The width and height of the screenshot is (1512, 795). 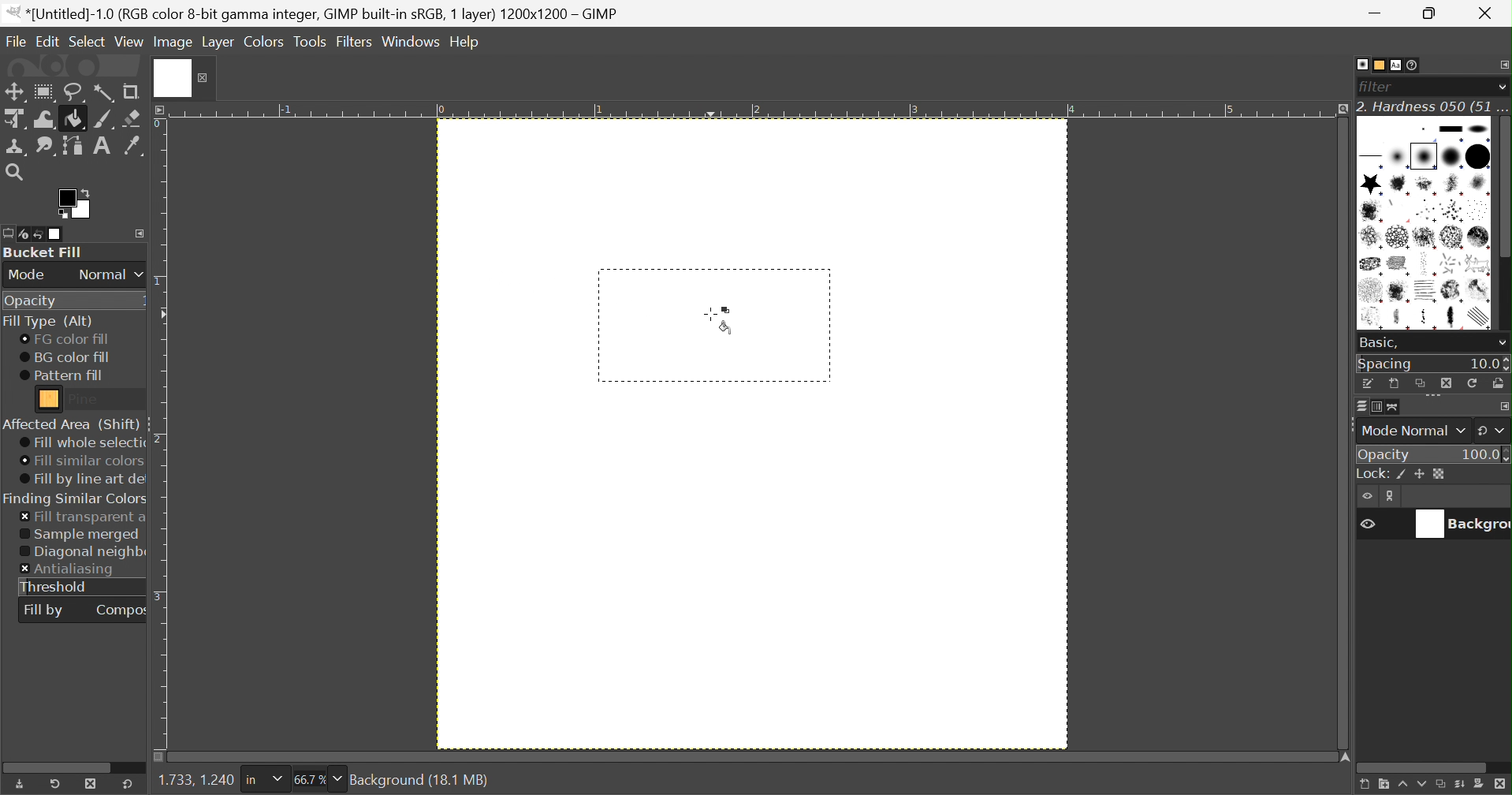 What do you see at coordinates (1427, 211) in the screenshot?
I see `Bristles` at bounding box center [1427, 211].